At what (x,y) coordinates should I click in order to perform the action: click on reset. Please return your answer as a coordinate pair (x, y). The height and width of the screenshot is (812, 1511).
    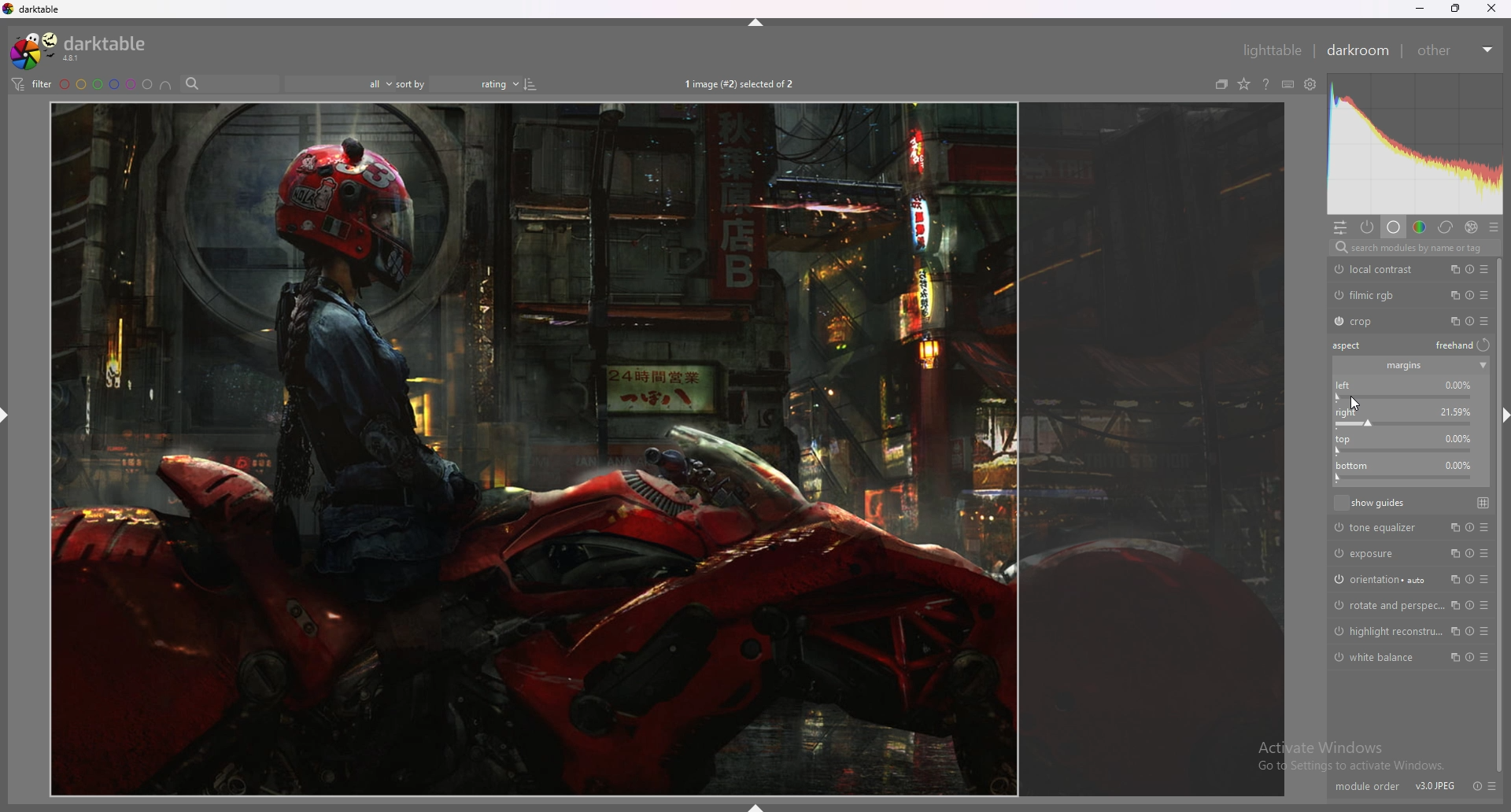
    Looking at the image, I should click on (1471, 269).